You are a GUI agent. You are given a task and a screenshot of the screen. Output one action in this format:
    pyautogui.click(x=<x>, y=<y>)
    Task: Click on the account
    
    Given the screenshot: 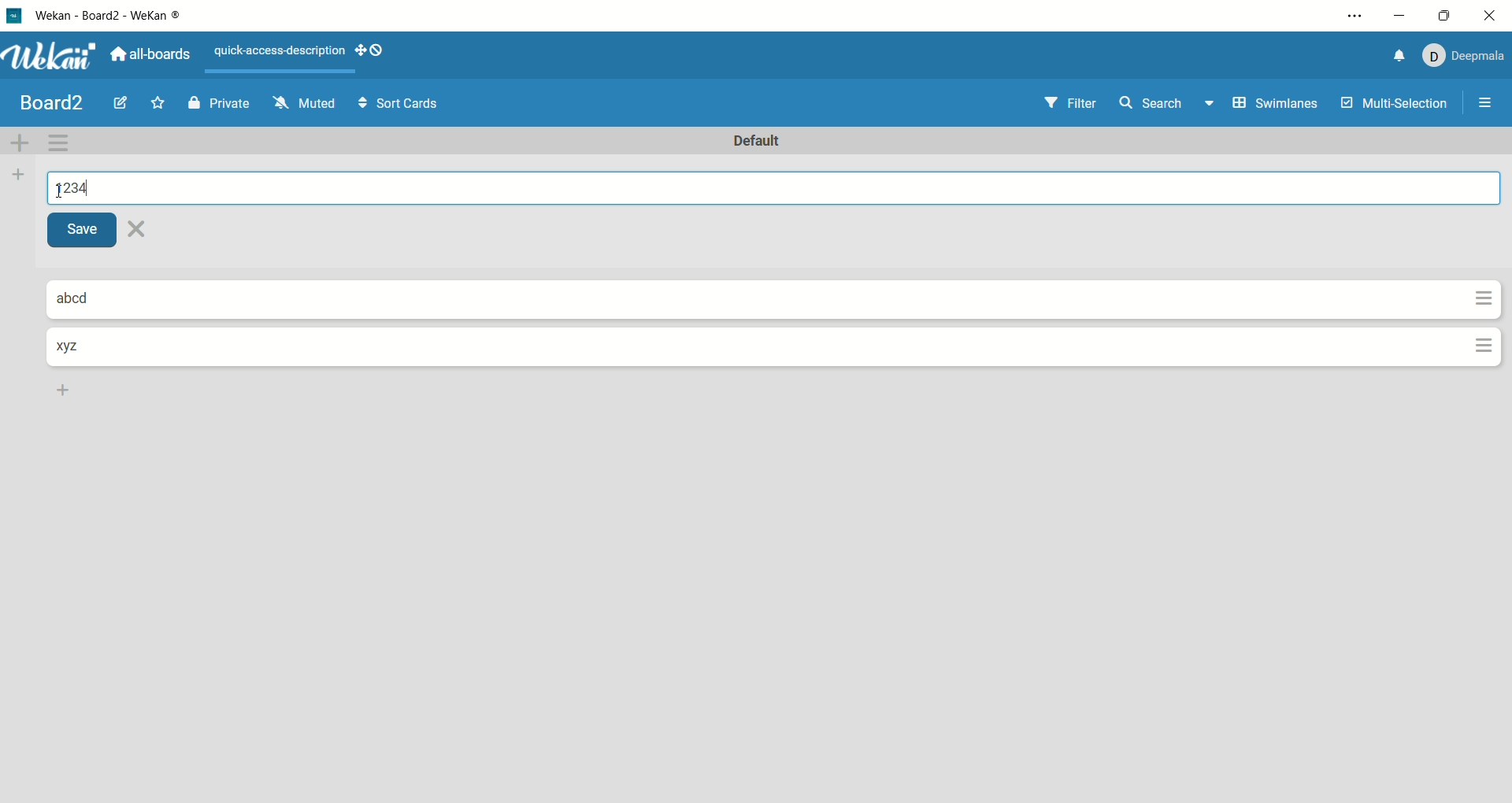 What is the action you would take?
    pyautogui.click(x=1462, y=54)
    